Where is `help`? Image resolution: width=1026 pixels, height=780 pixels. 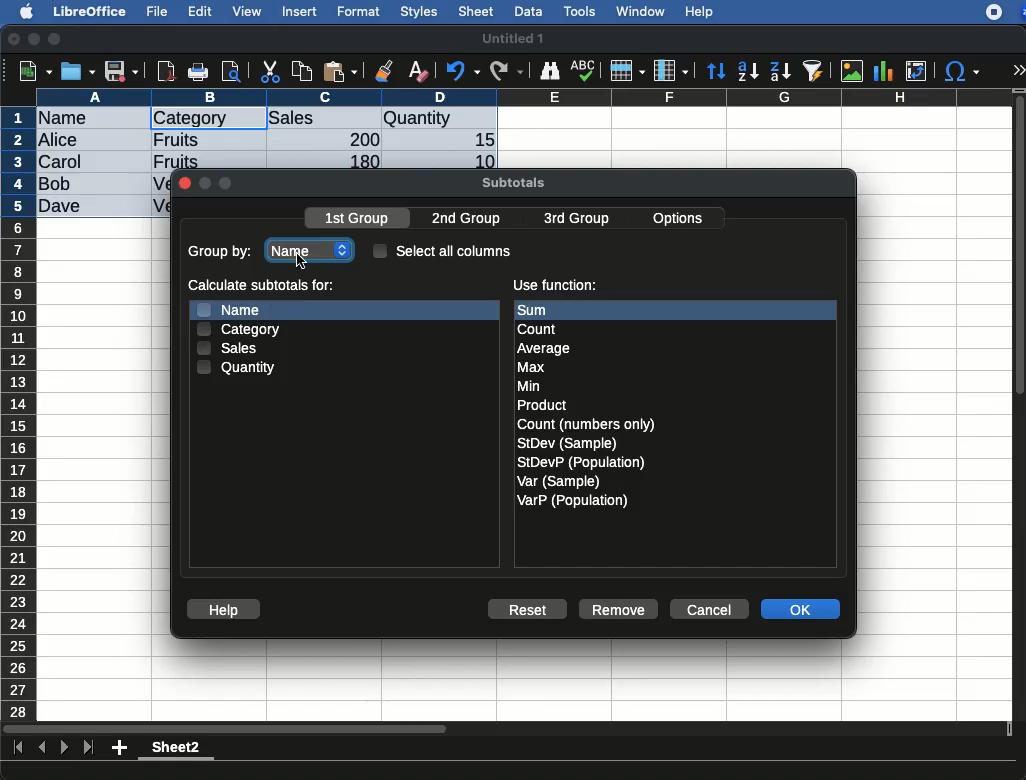 help is located at coordinates (700, 13).